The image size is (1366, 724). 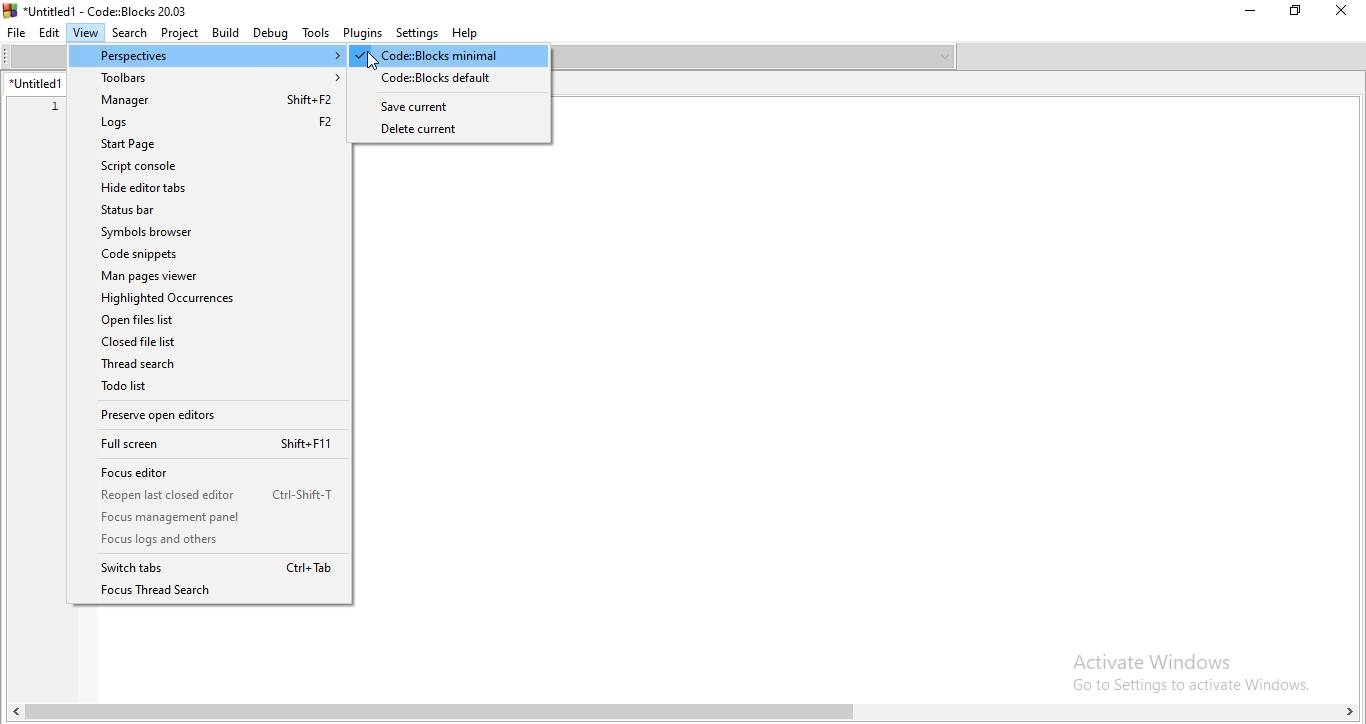 I want to click on Full screen, so click(x=209, y=445).